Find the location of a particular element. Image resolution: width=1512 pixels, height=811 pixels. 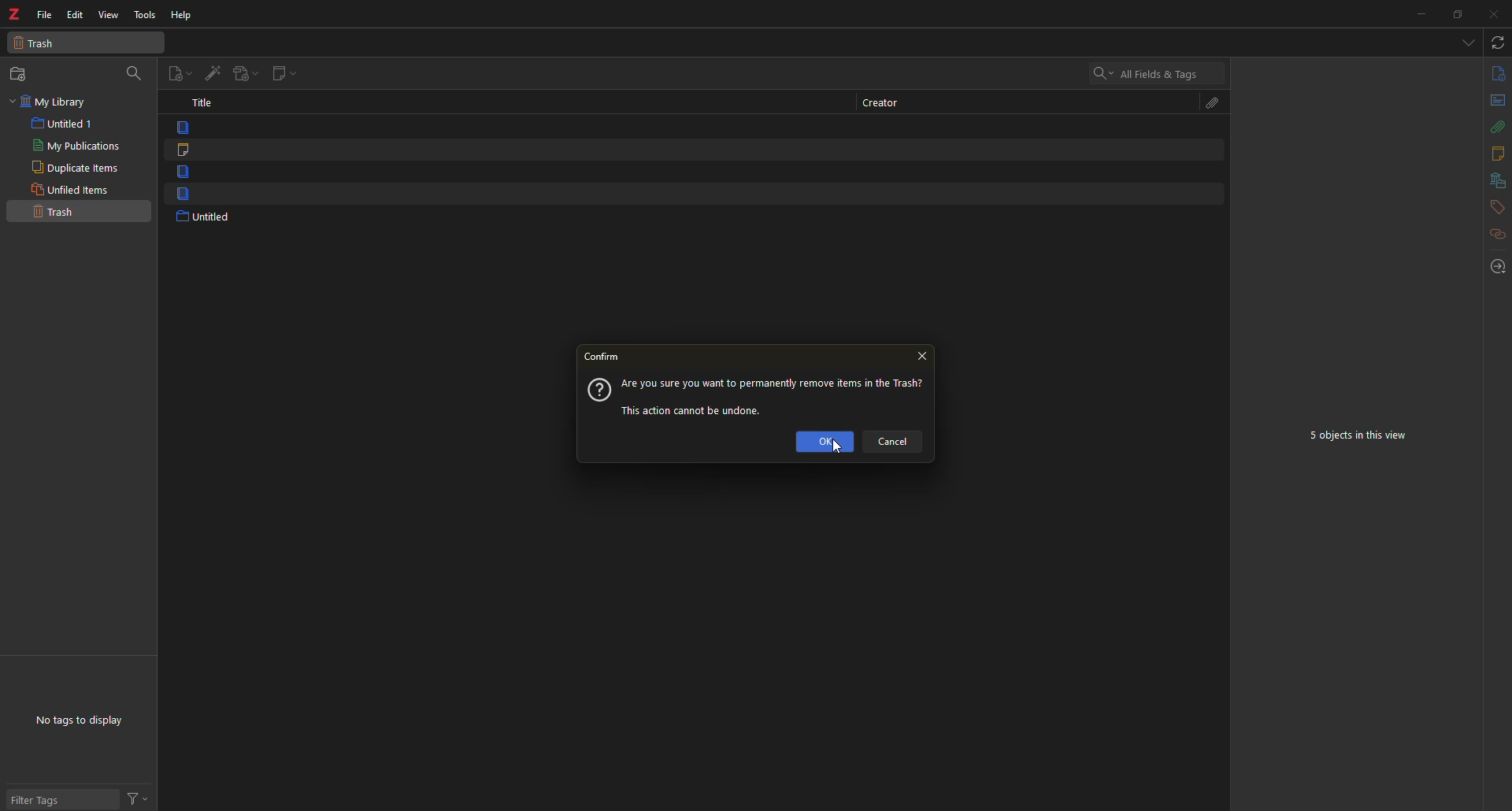

new item is located at coordinates (180, 72).